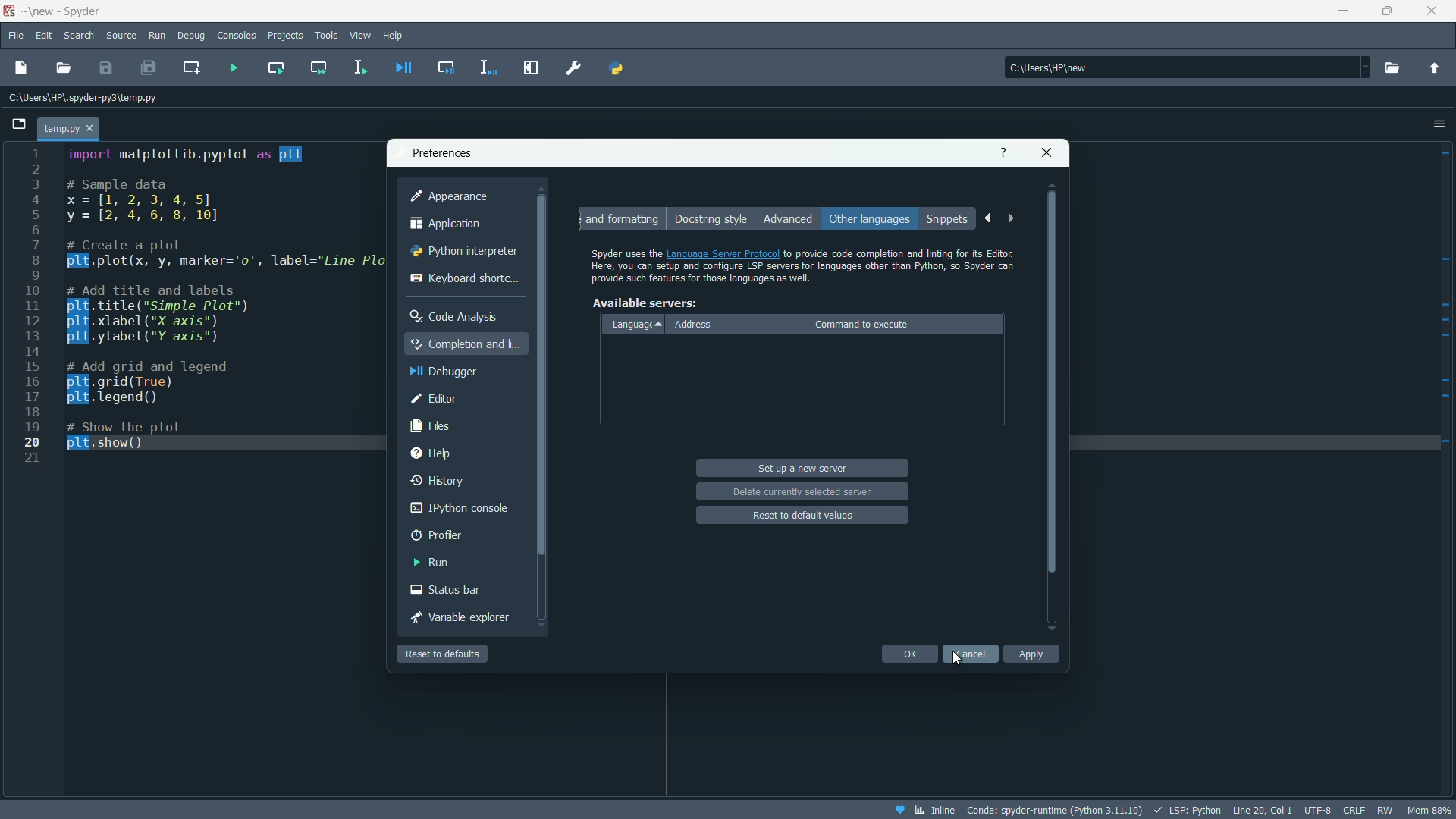 This screenshot has height=819, width=1456. What do you see at coordinates (74, 11) in the screenshot?
I see `~\new - Spyder` at bounding box center [74, 11].